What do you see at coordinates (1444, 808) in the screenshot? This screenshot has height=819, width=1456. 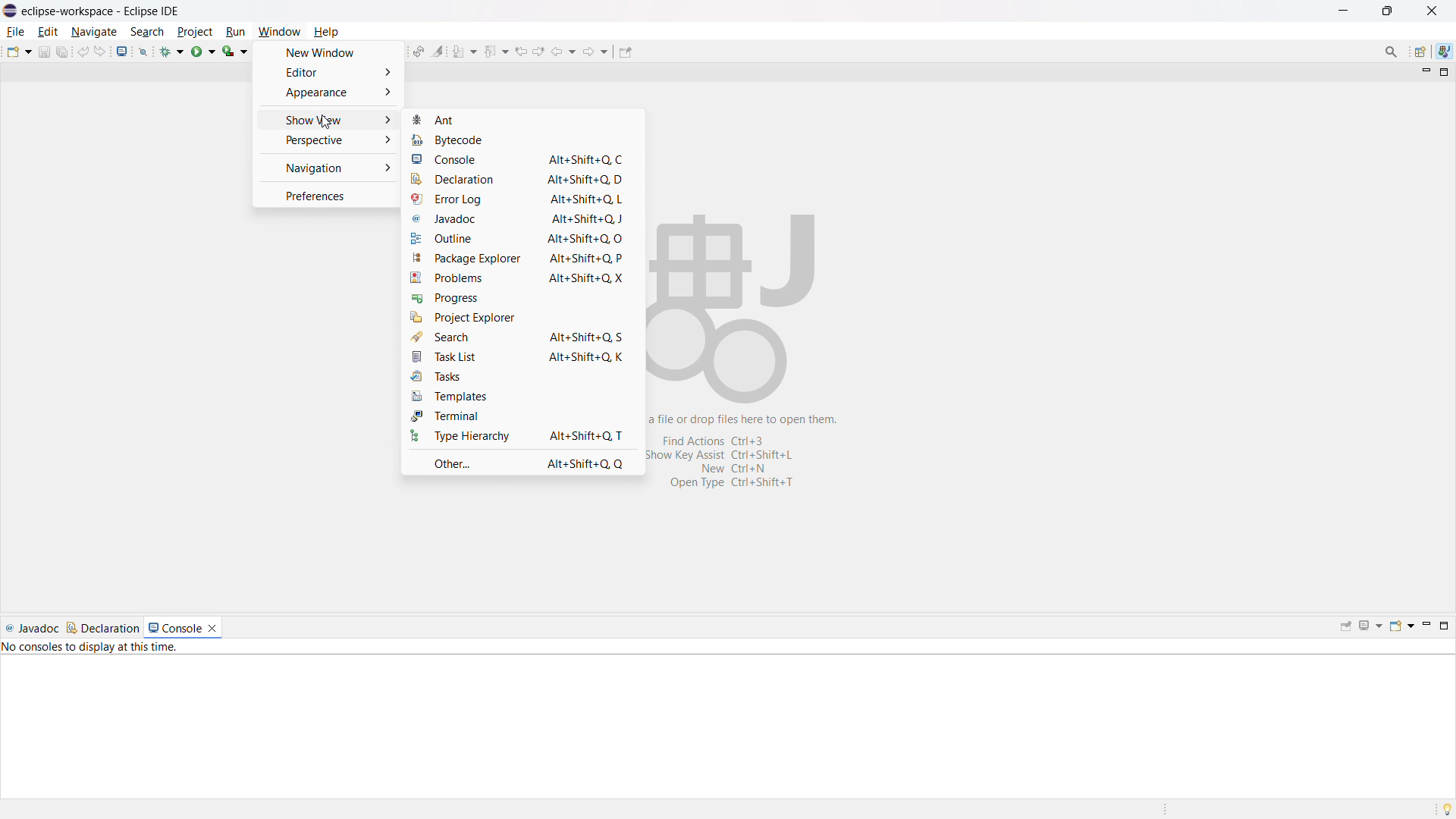 I see `tip of the day` at bounding box center [1444, 808].